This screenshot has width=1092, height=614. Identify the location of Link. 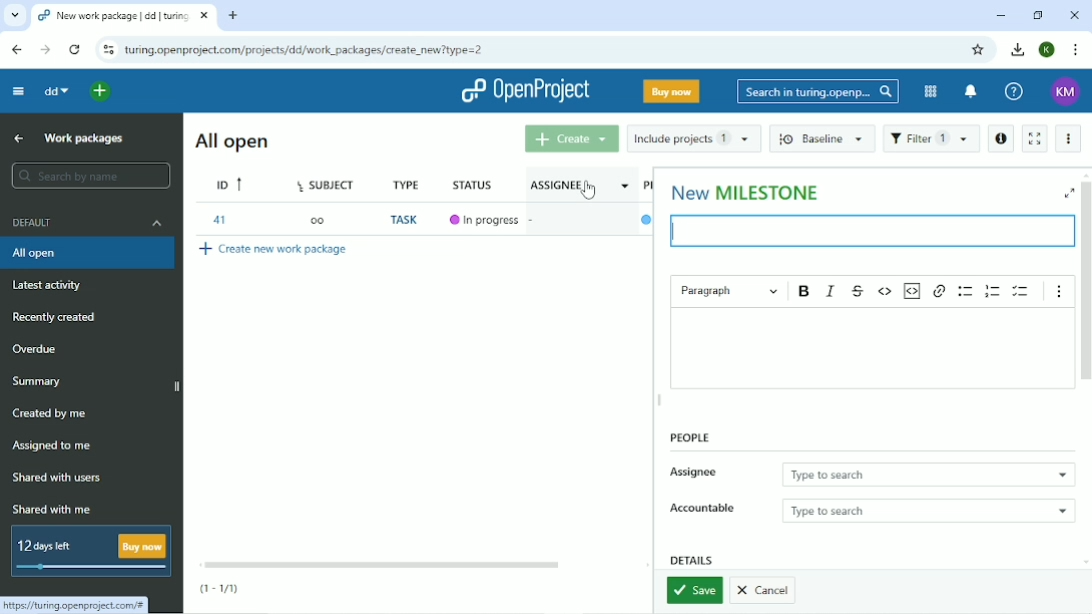
(79, 603).